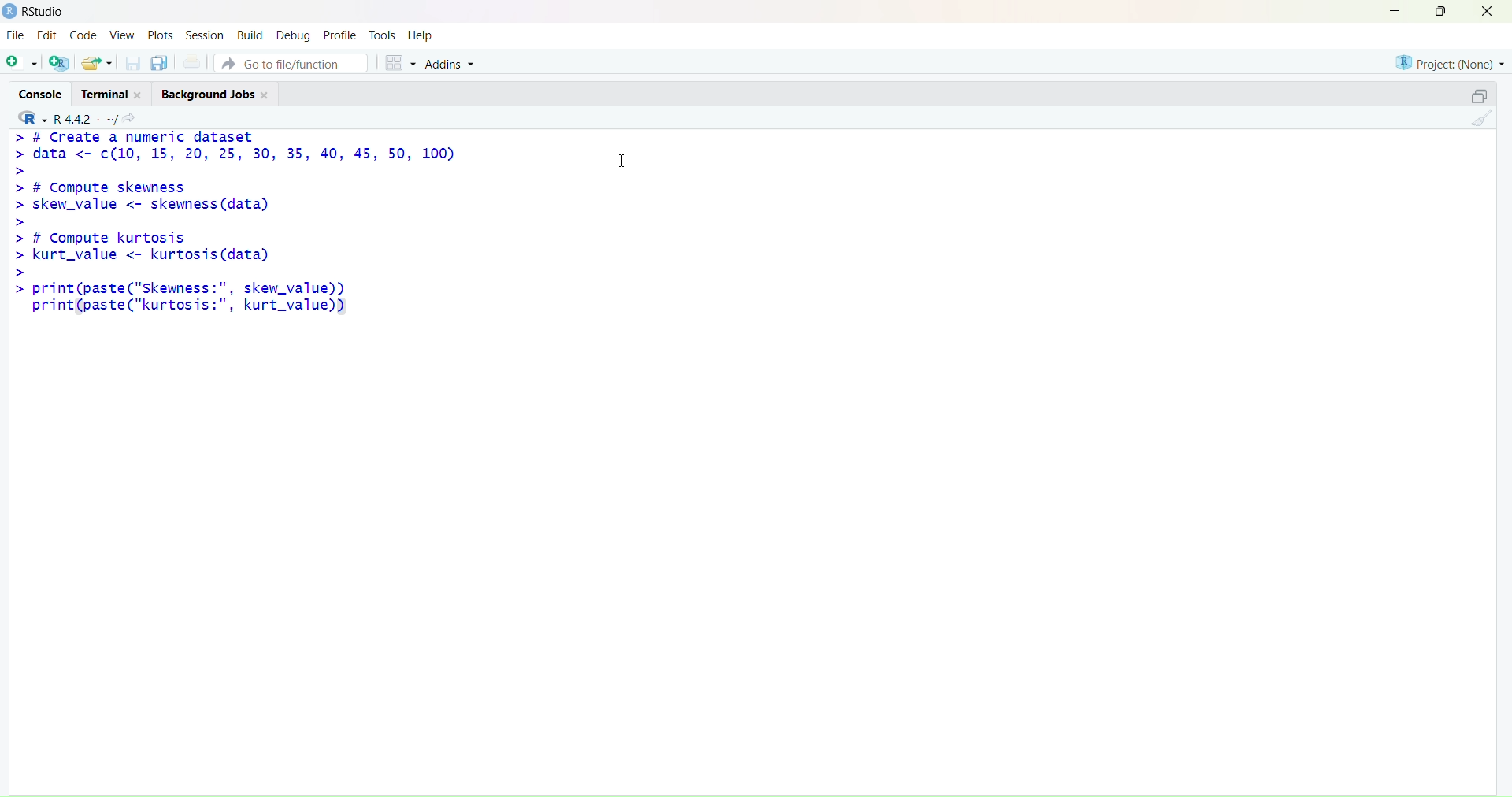  I want to click on > # Create a numeric dataset

> data <- c(10, 15, 20, 25, 30, 35, 40, 45, 50, 100)

>

> # Compute skewness

> skew_value <- skewness (data)

>

> # Compute kurtosis

> kurt_value <- kurtosis(data)

>

> print(paste("Skewness:", skew_value))
print(paste("kurtosis:", kurt_value)), so click(275, 233).